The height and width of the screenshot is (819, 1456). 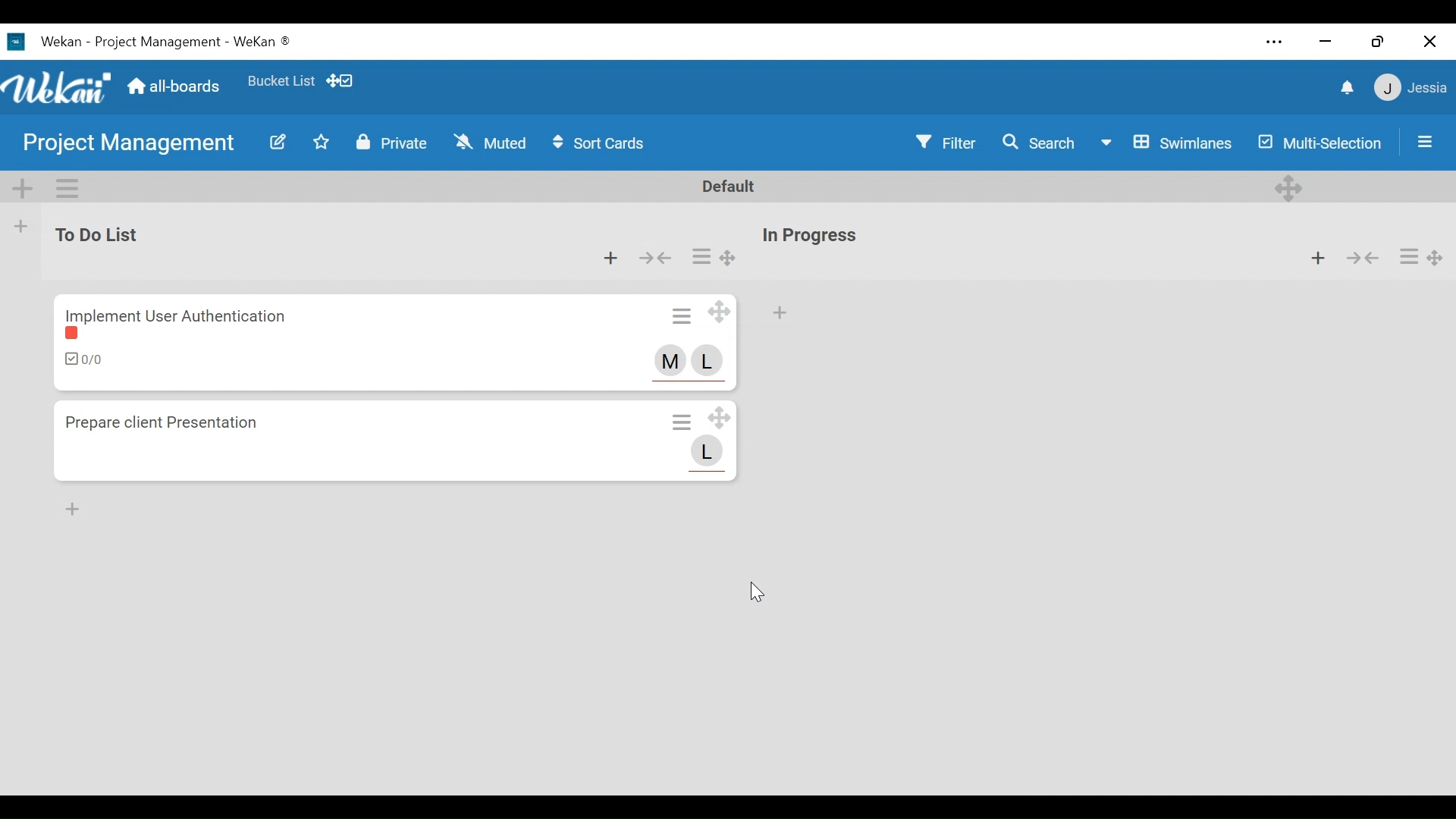 I want to click on Add card to the top of the list, so click(x=610, y=258).